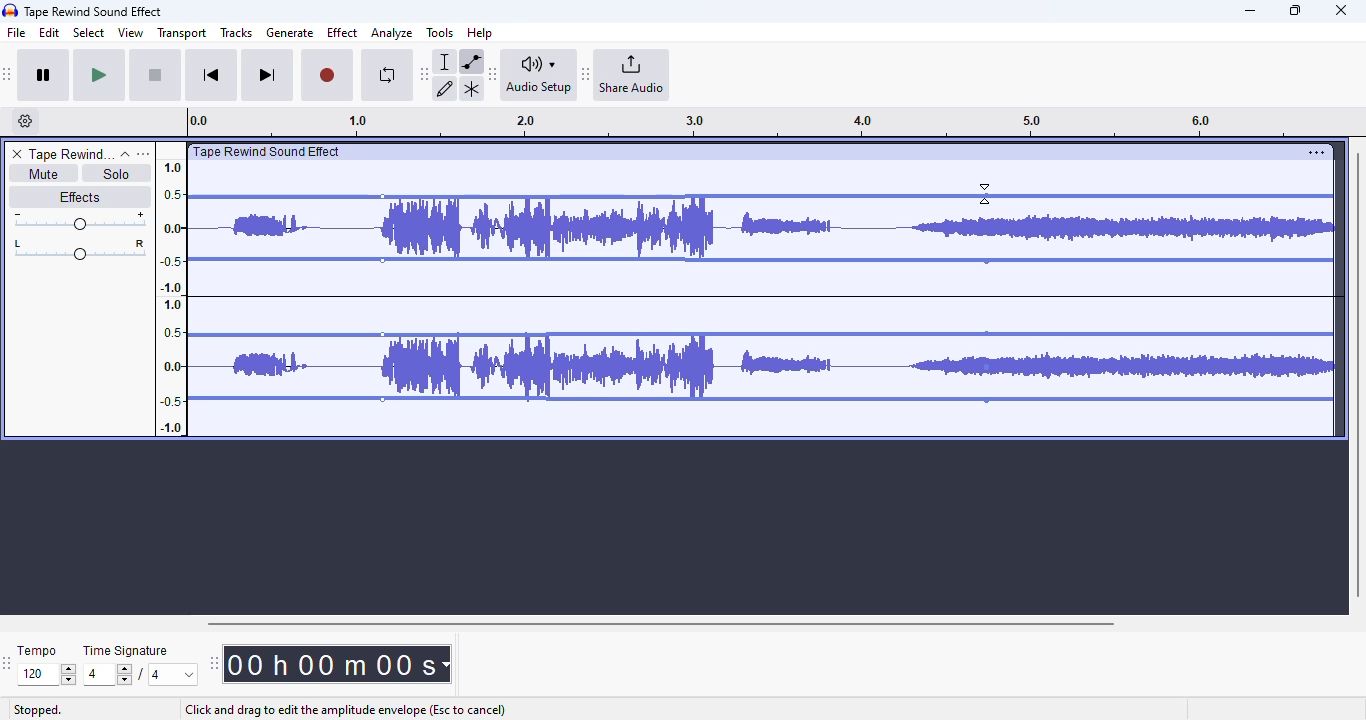 The width and height of the screenshot is (1366, 720). What do you see at coordinates (344, 710) in the screenshot?
I see `click and drag to edit the amplitude envelope (esc to cancel)` at bounding box center [344, 710].